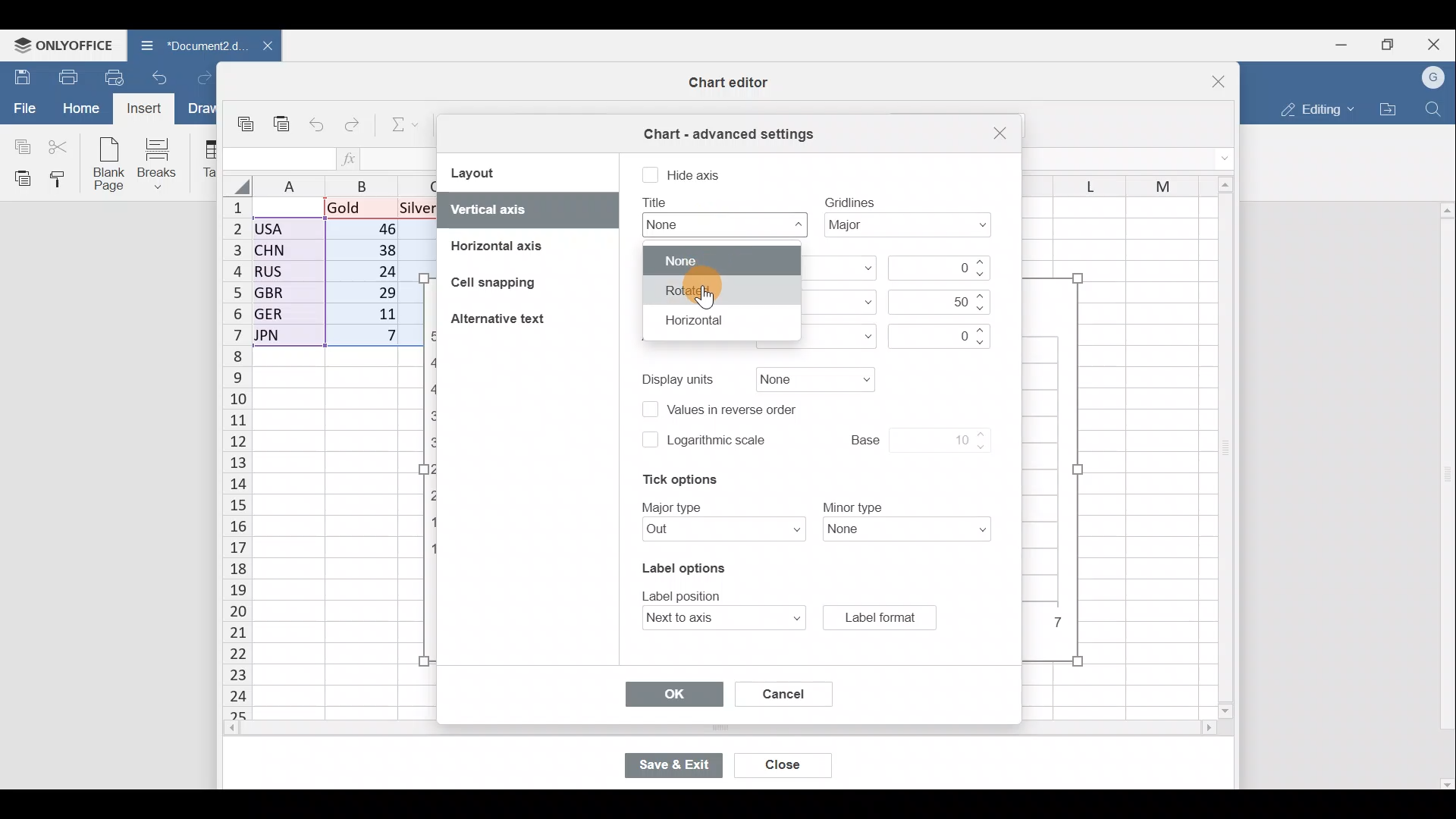  Describe the element at coordinates (997, 133) in the screenshot. I see `Close` at that location.